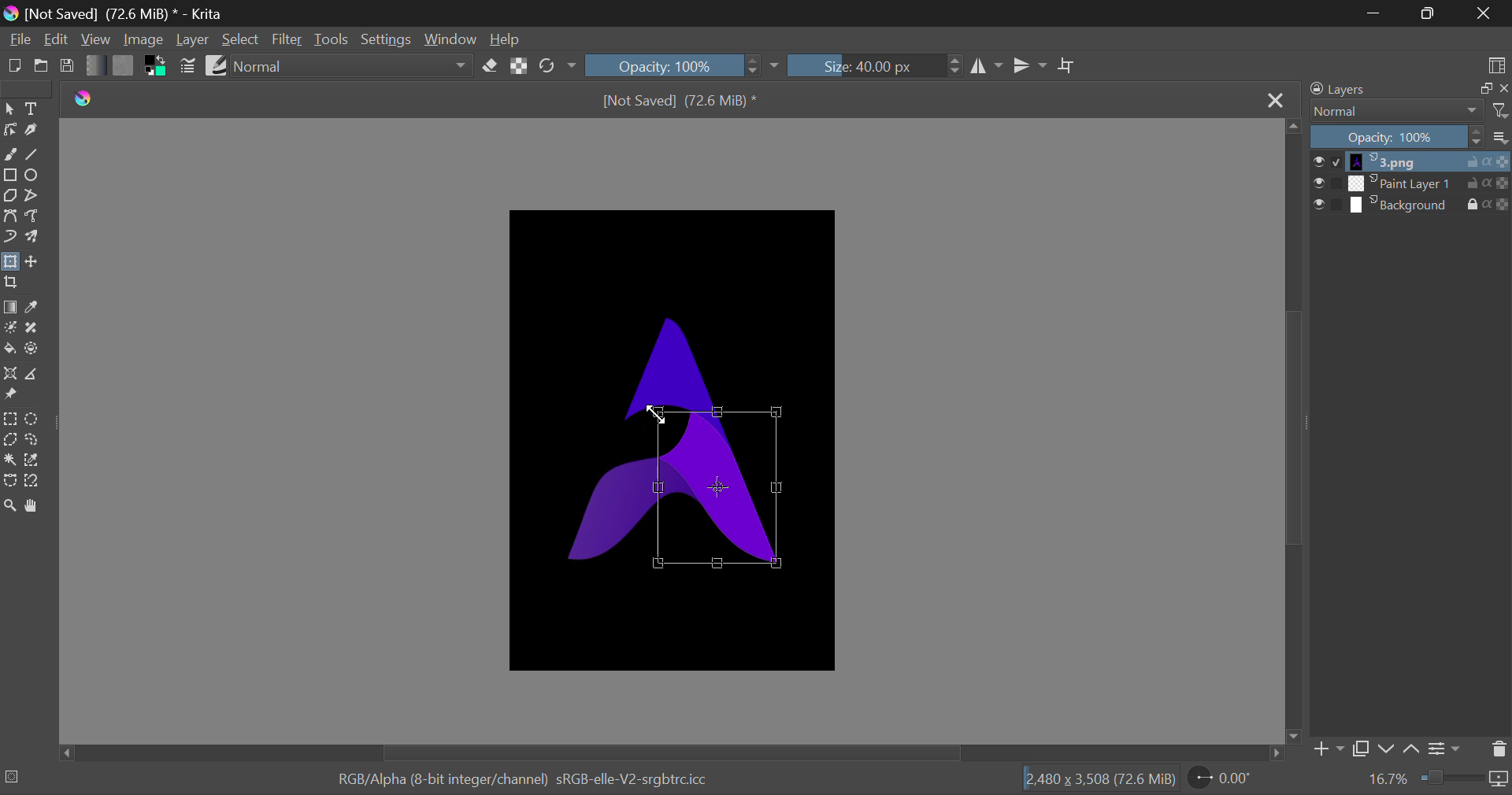 The height and width of the screenshot is (795, 1512). I want to click on up Movement of Layer, so click(1411, 749).